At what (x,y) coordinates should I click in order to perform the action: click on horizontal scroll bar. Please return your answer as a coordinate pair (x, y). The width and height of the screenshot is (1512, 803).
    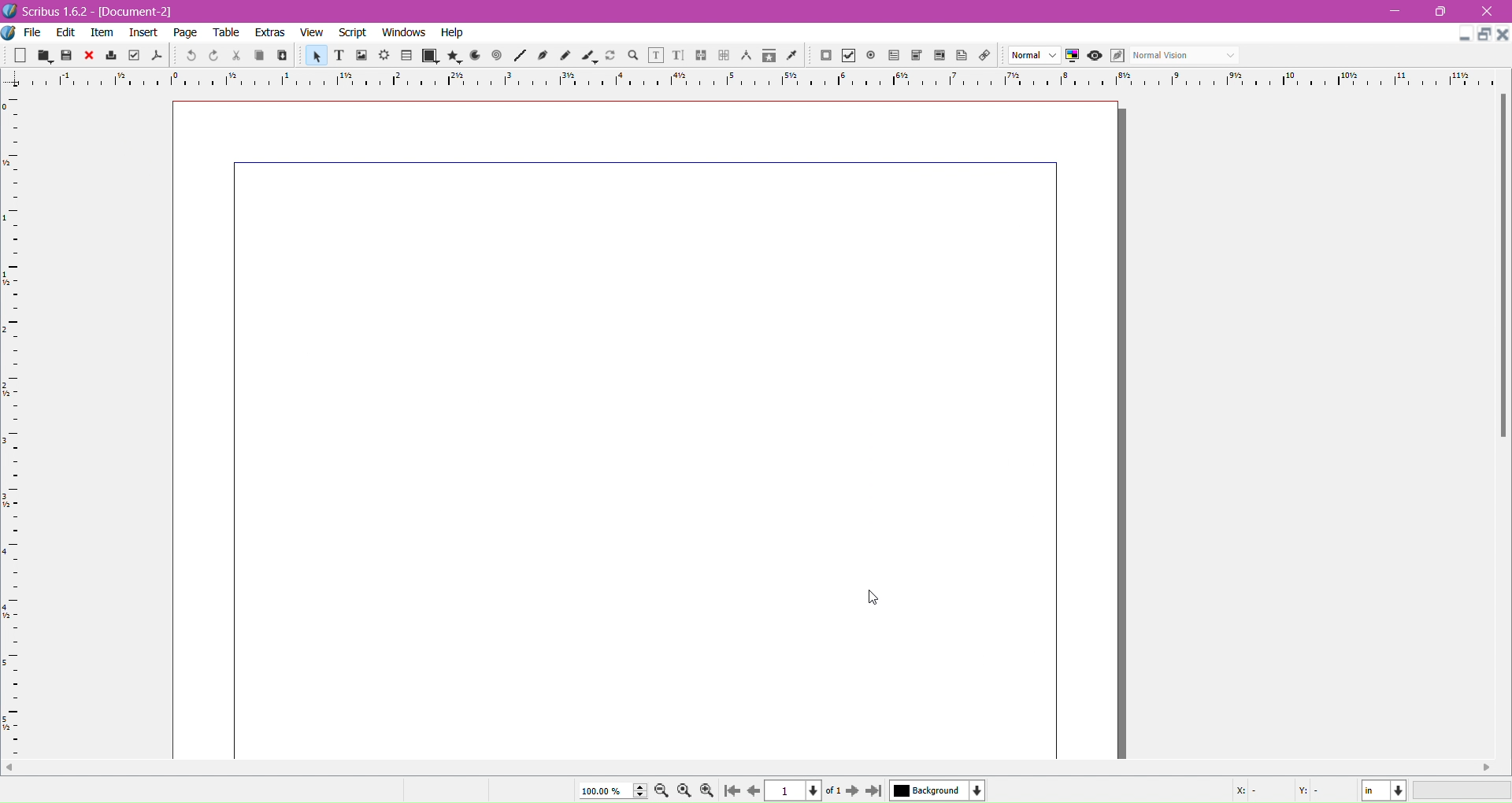
    Looking at the image, I should click on (1502, 270).